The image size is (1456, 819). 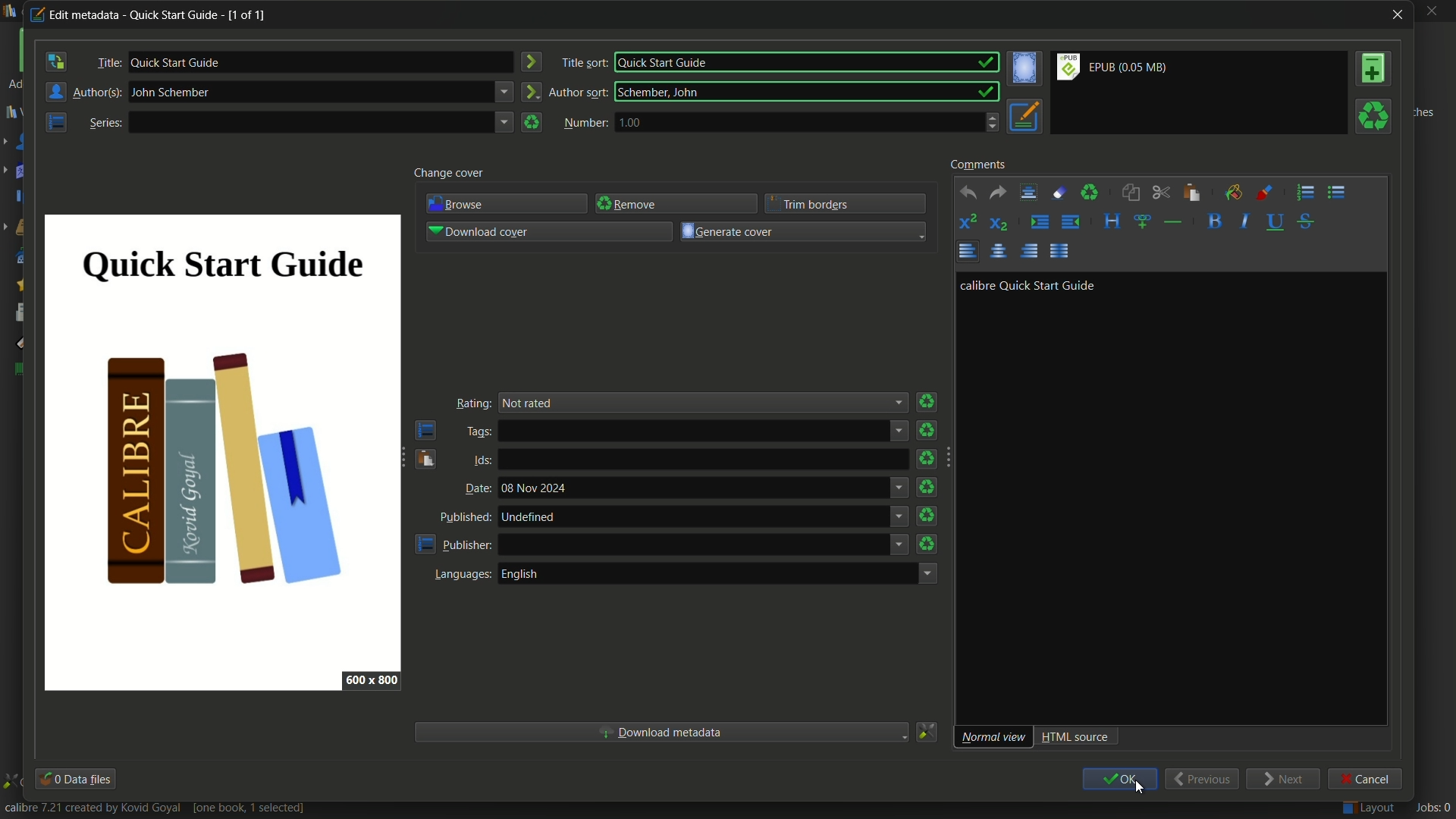 I want to click on number, so click(x=585, y=124).